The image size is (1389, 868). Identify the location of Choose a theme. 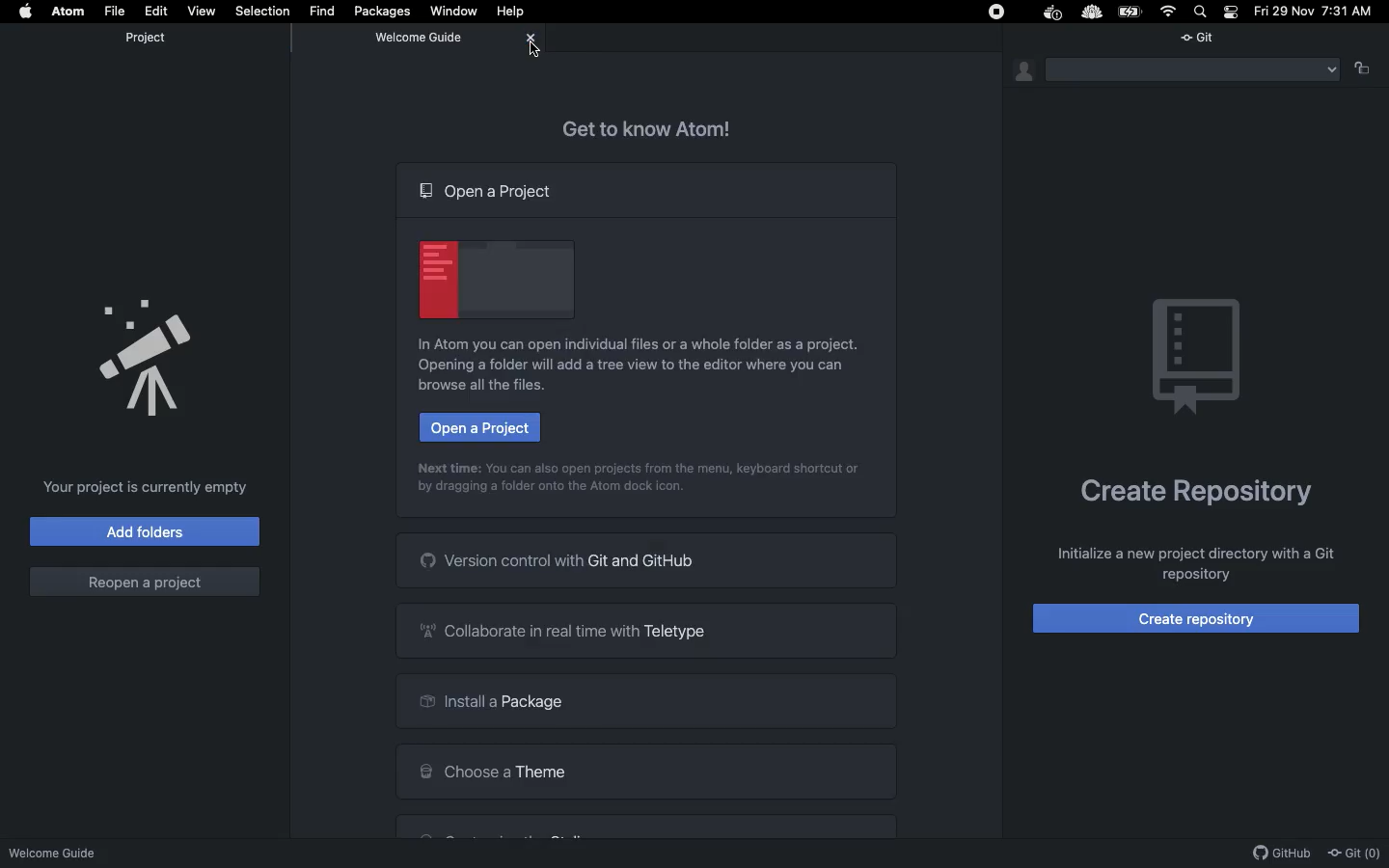
(647, 771).